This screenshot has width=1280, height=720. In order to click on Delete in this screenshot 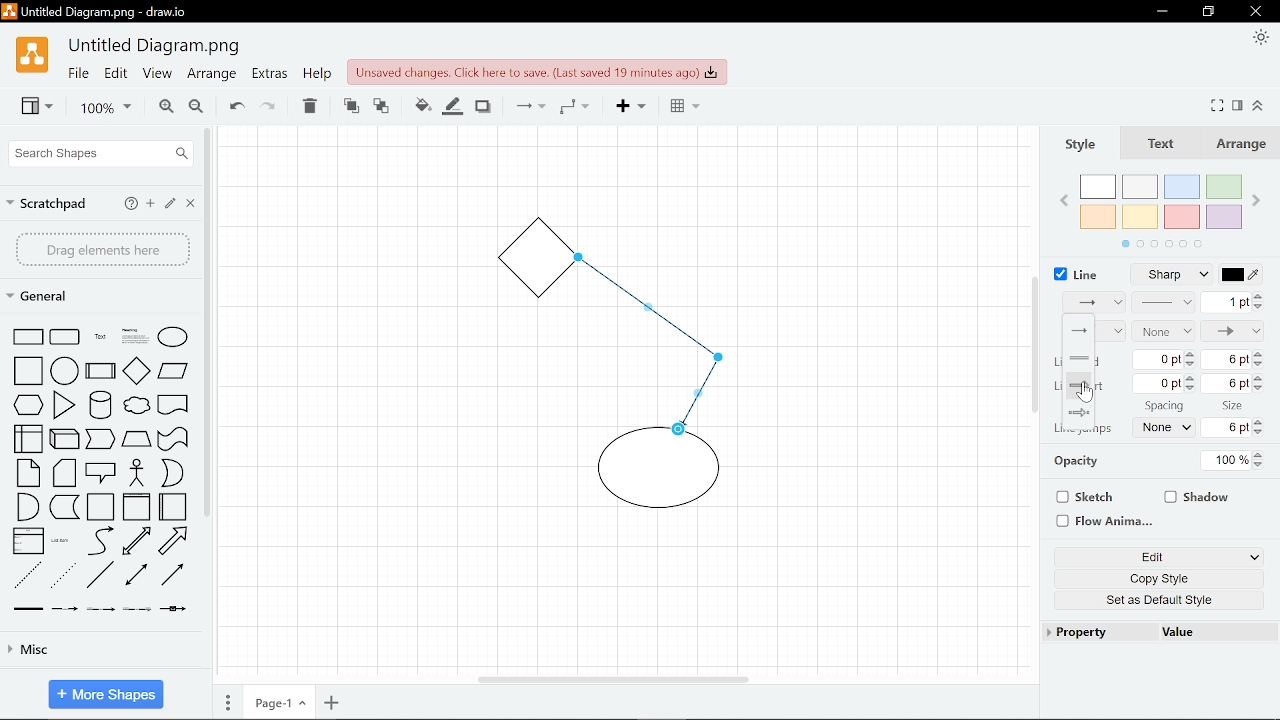, I will do `click(311, 106)`.